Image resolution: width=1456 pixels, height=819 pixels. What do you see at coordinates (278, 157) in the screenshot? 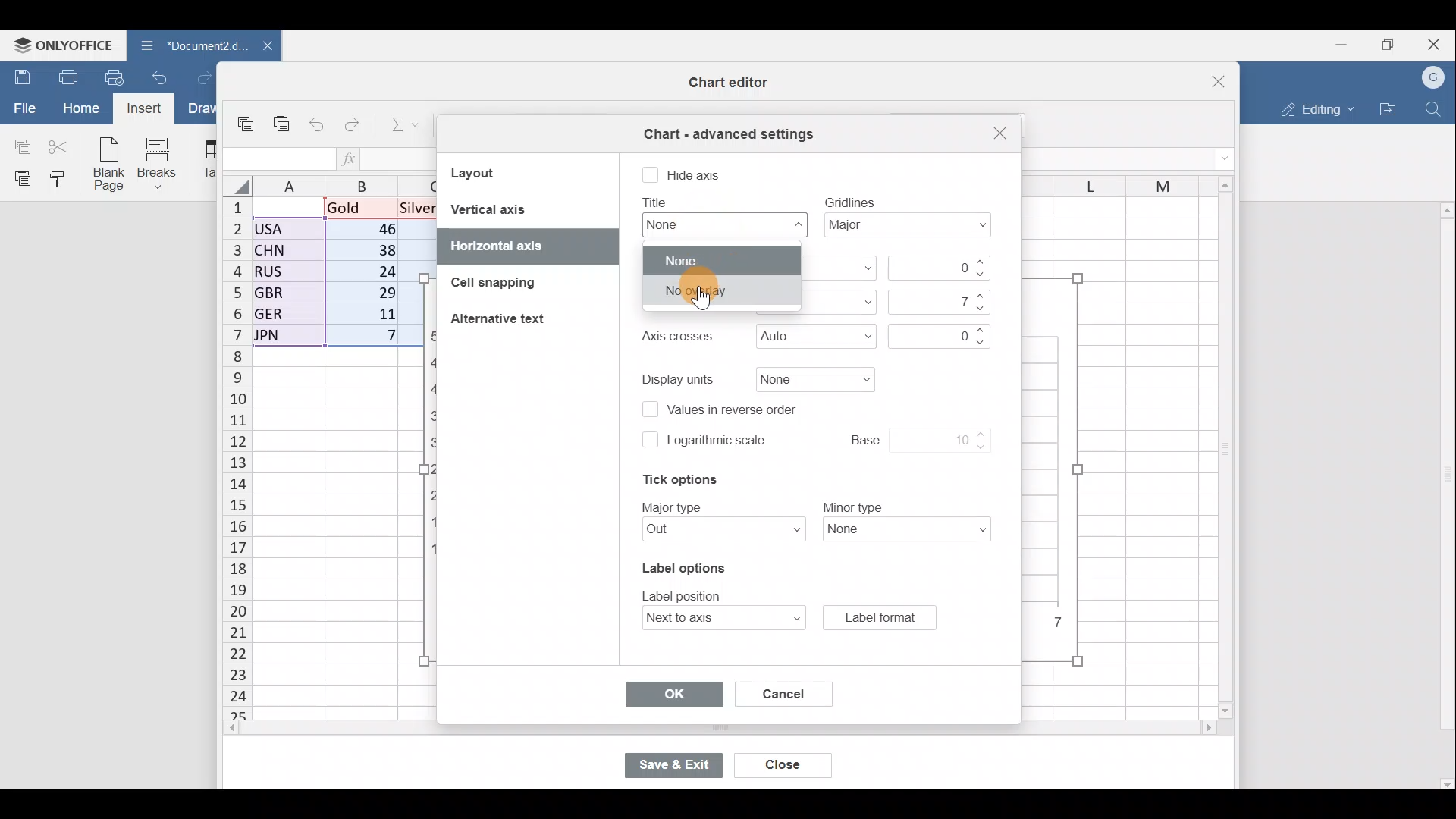
I see `Cell name` at bounding box center [278, 157].